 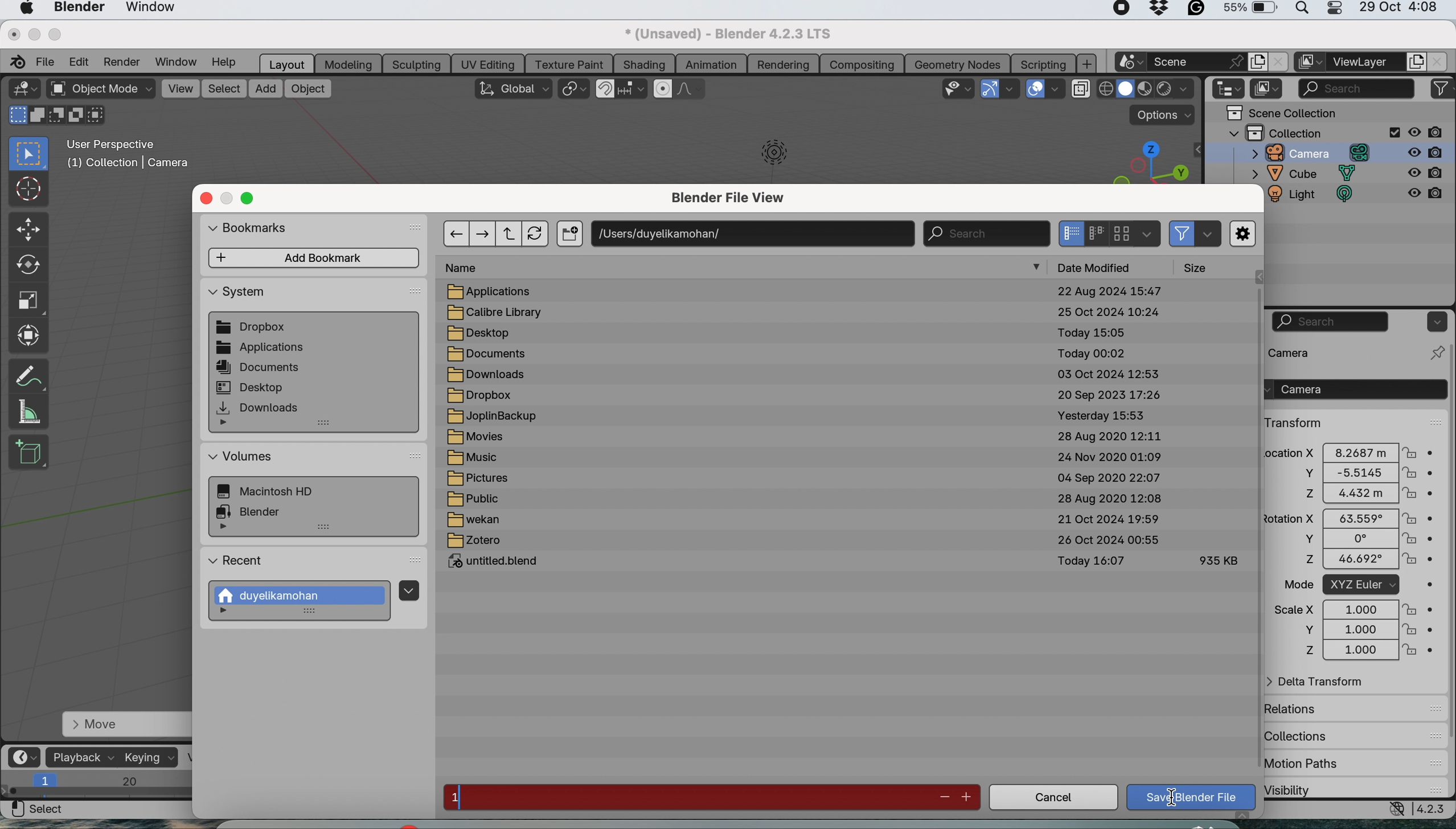 I want to click on desktop, so click(x=251, y=387).